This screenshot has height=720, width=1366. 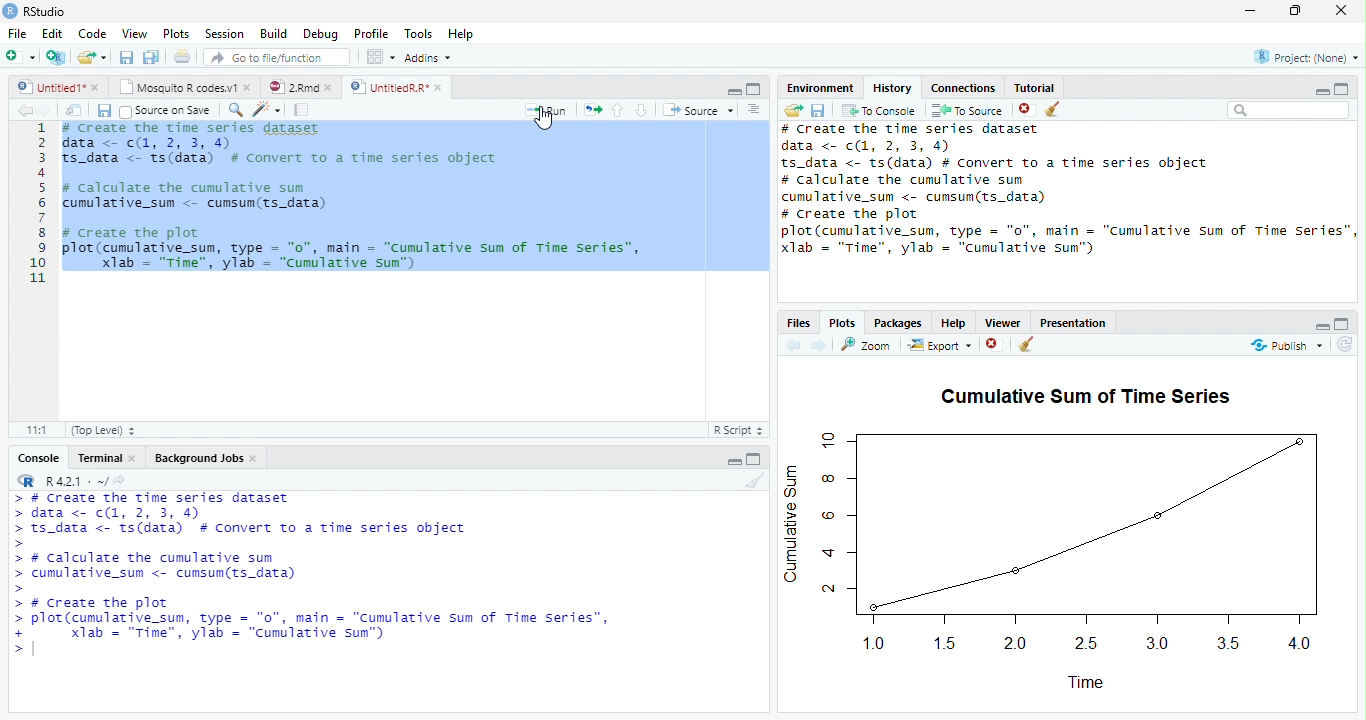 I want to click on Next, so click(x=819, y=349).